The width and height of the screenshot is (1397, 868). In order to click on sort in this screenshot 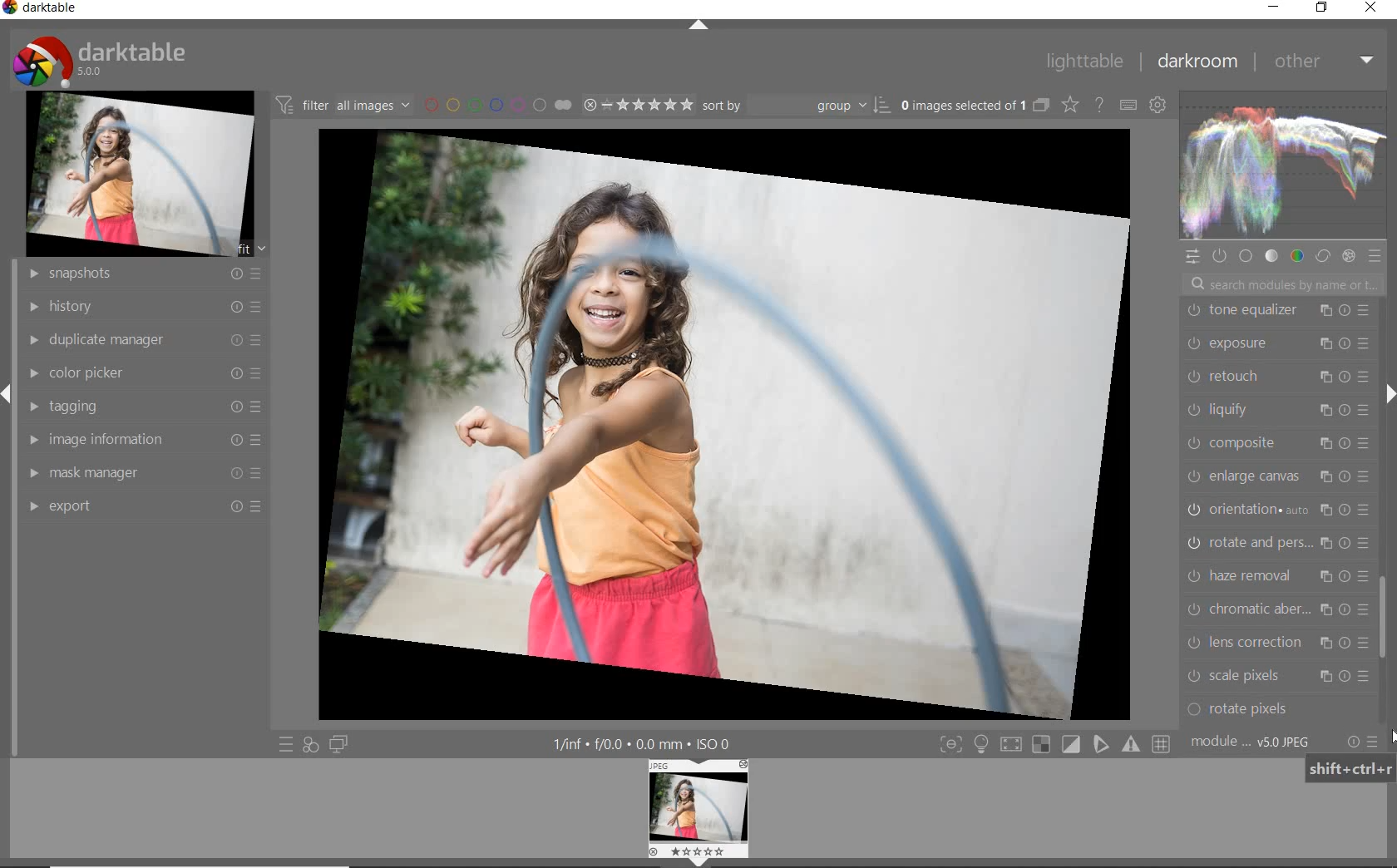, I will do `click(797, 104)`.